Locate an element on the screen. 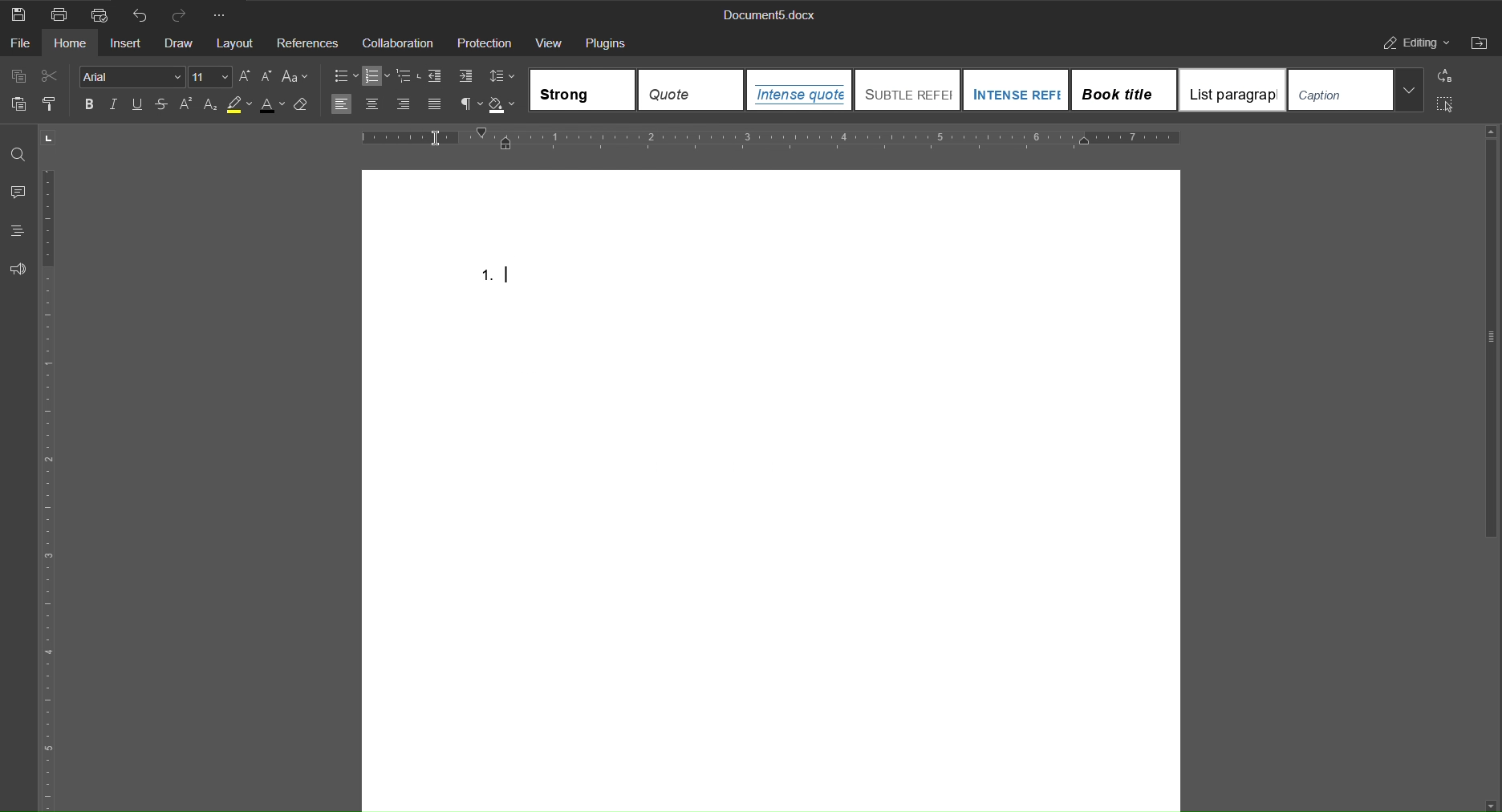  Headings is located at coordinates (17, 229).